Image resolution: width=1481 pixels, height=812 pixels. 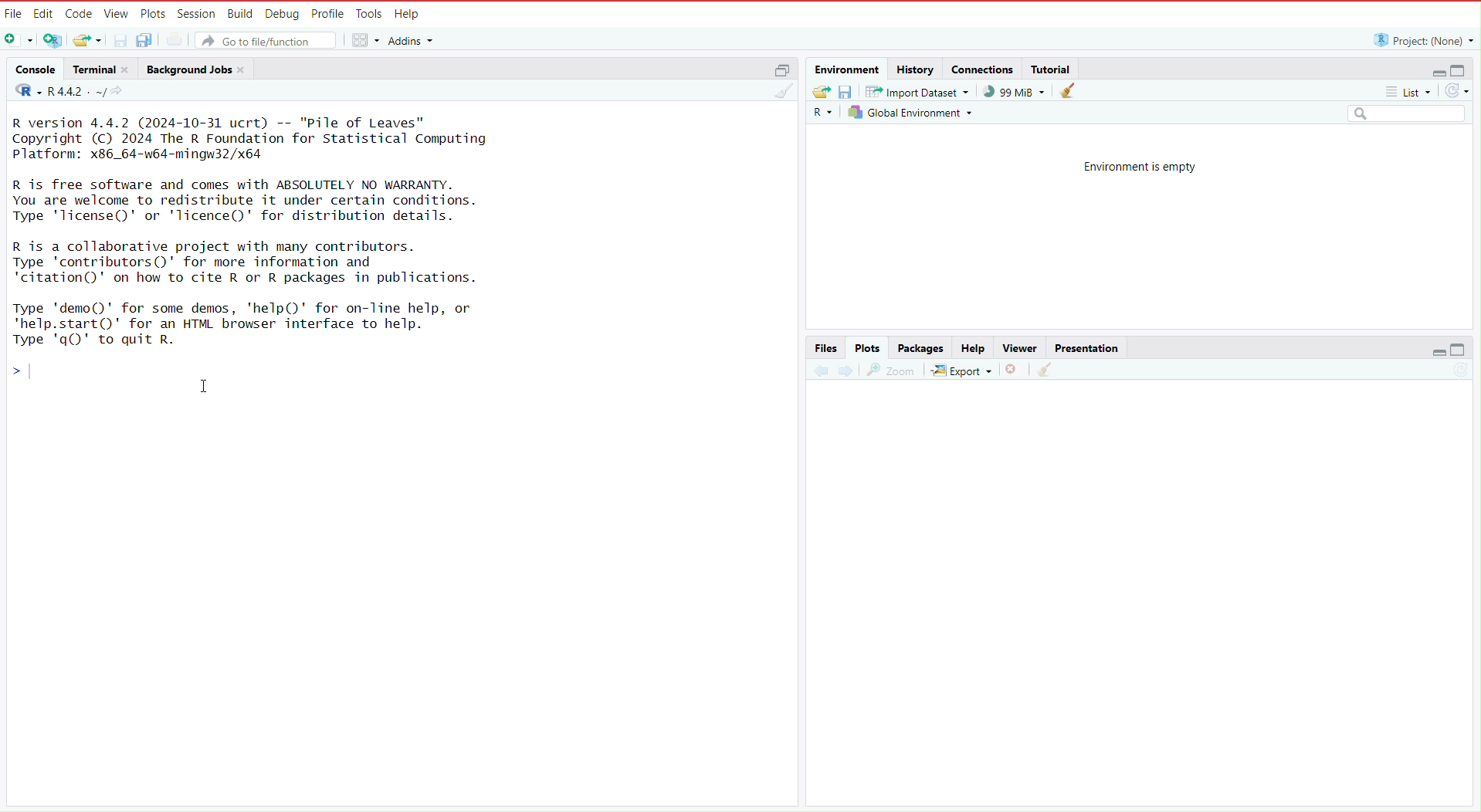 What do you see at coordinates (1432, 354) in the screenshot?
I see `minimize` at bounding box center [1432, 354].